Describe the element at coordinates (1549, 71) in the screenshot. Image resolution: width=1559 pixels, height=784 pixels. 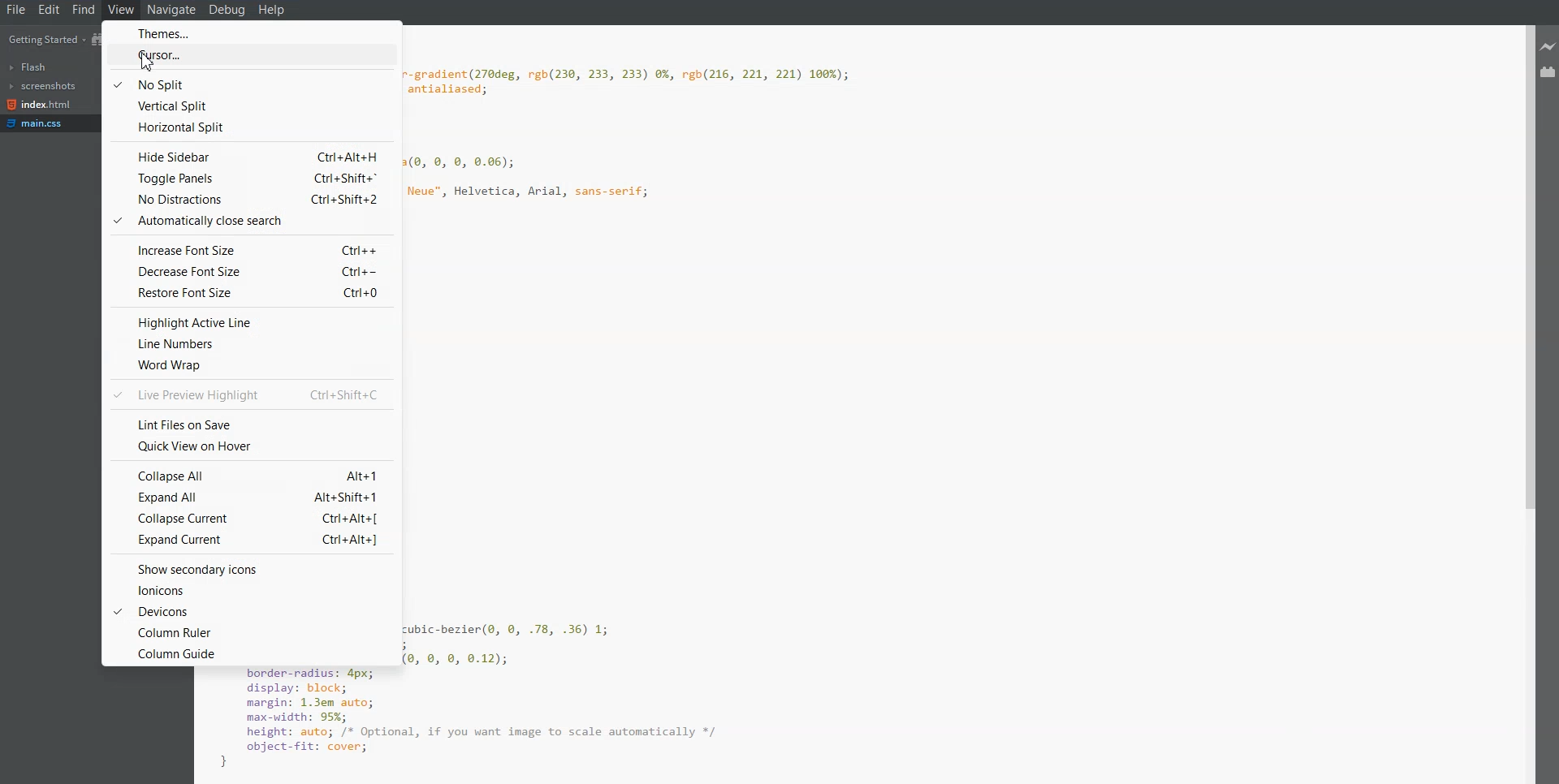
I see `Extension Manager` at that location.